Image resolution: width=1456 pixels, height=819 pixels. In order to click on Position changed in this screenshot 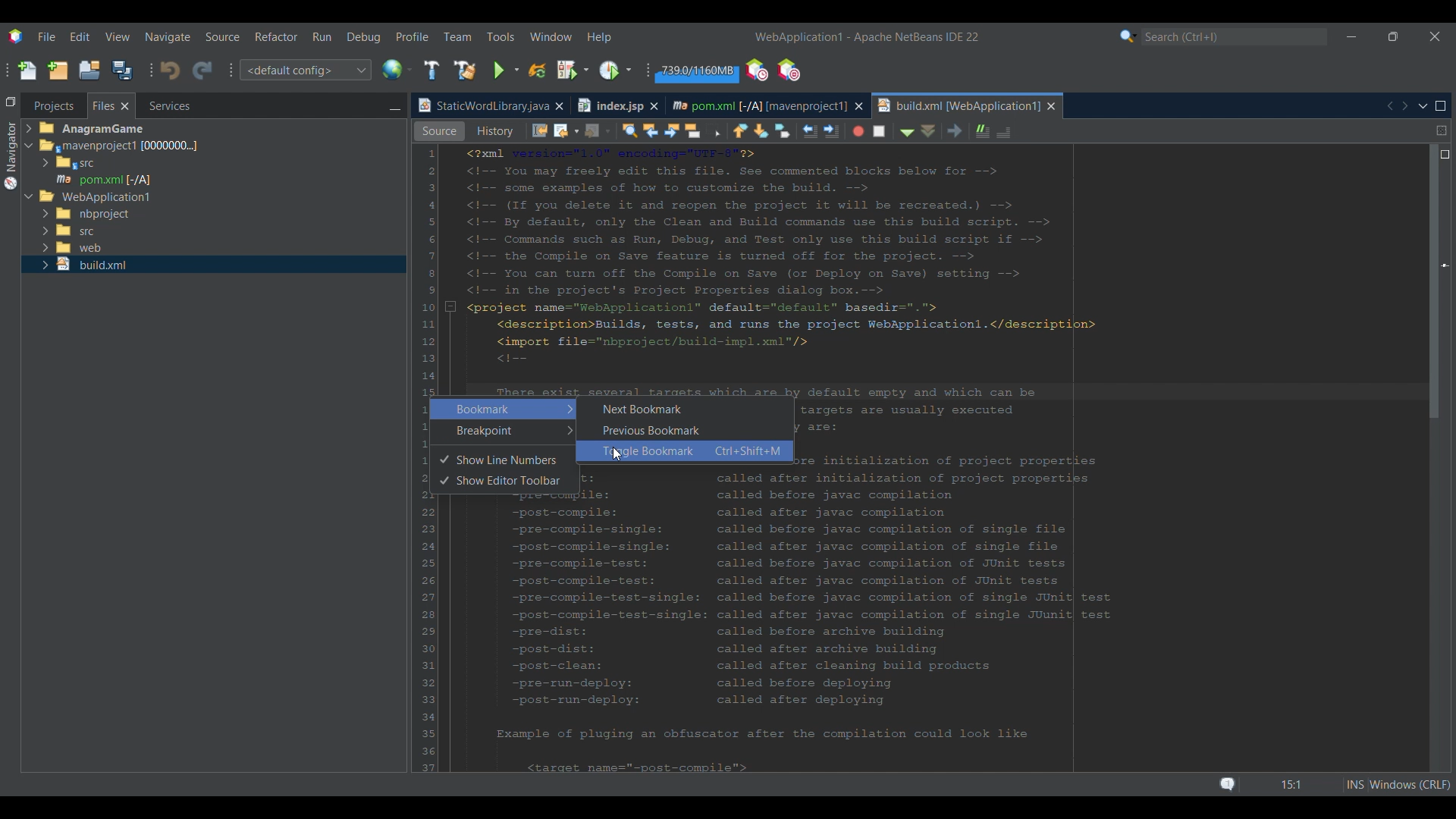, I will do `click(1445, 266)`.